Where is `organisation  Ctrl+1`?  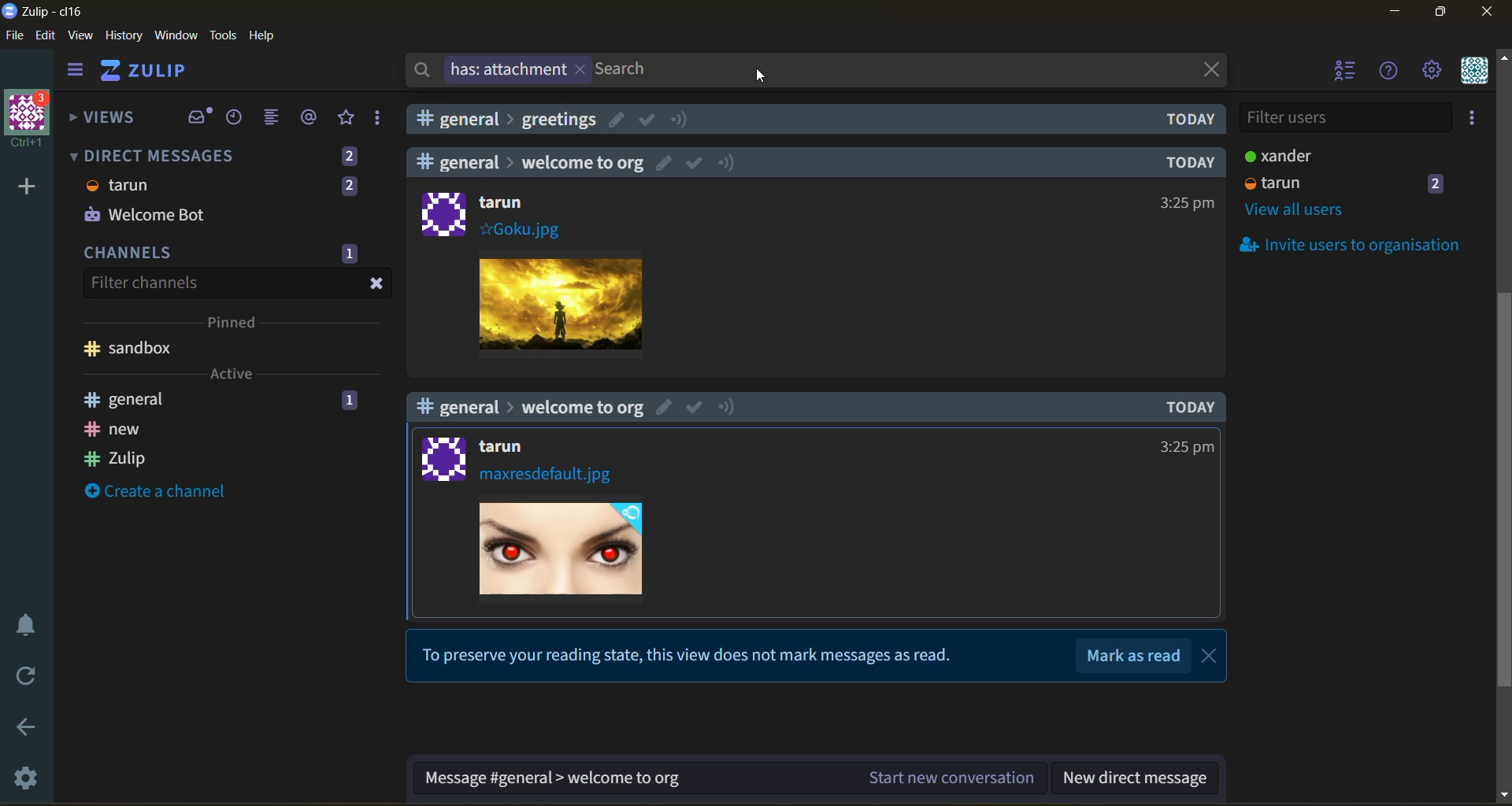
organisation  Ctrl+1 is located at coordinates (31, 121).